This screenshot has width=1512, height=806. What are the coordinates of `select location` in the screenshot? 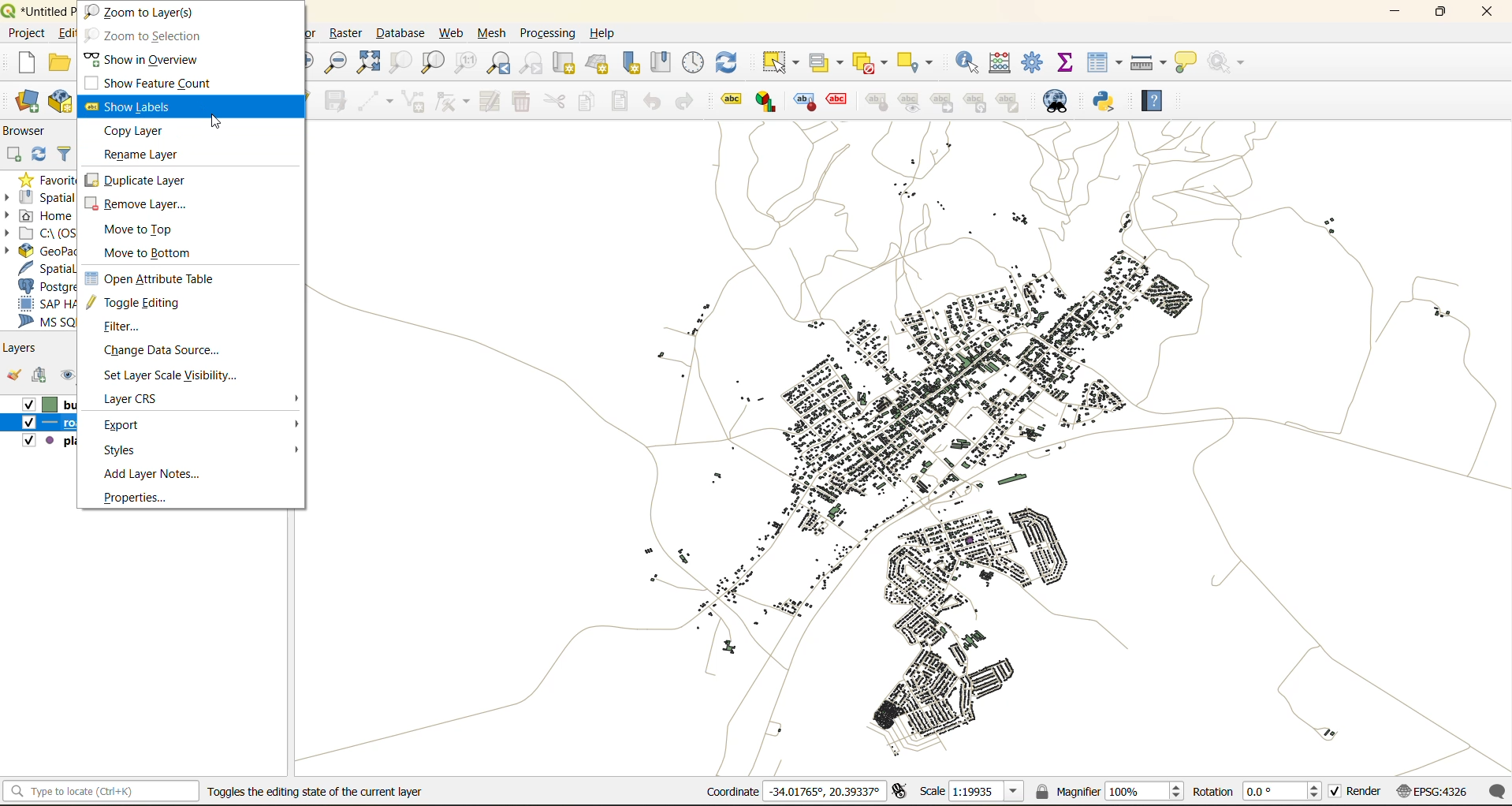 It's located at (914, 63).